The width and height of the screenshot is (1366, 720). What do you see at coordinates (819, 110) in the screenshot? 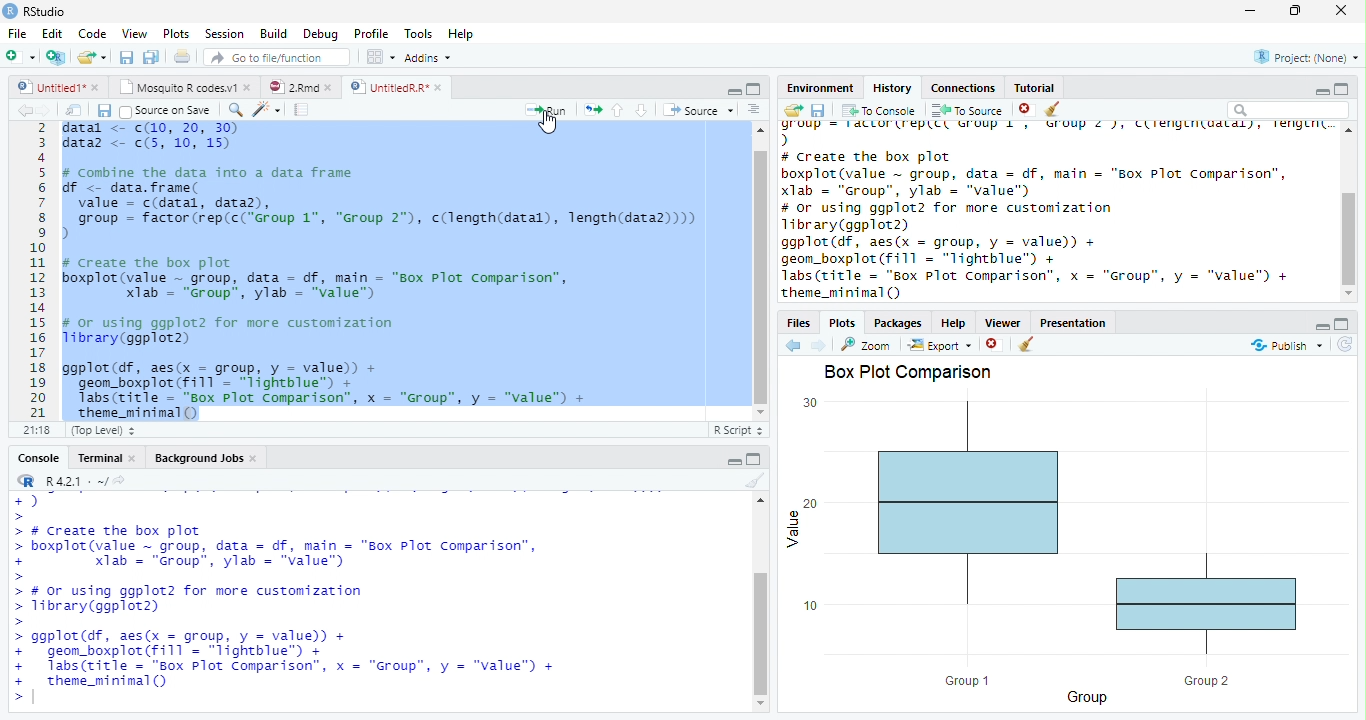
I see `Save history into a file` at bounding box center [819, 110].